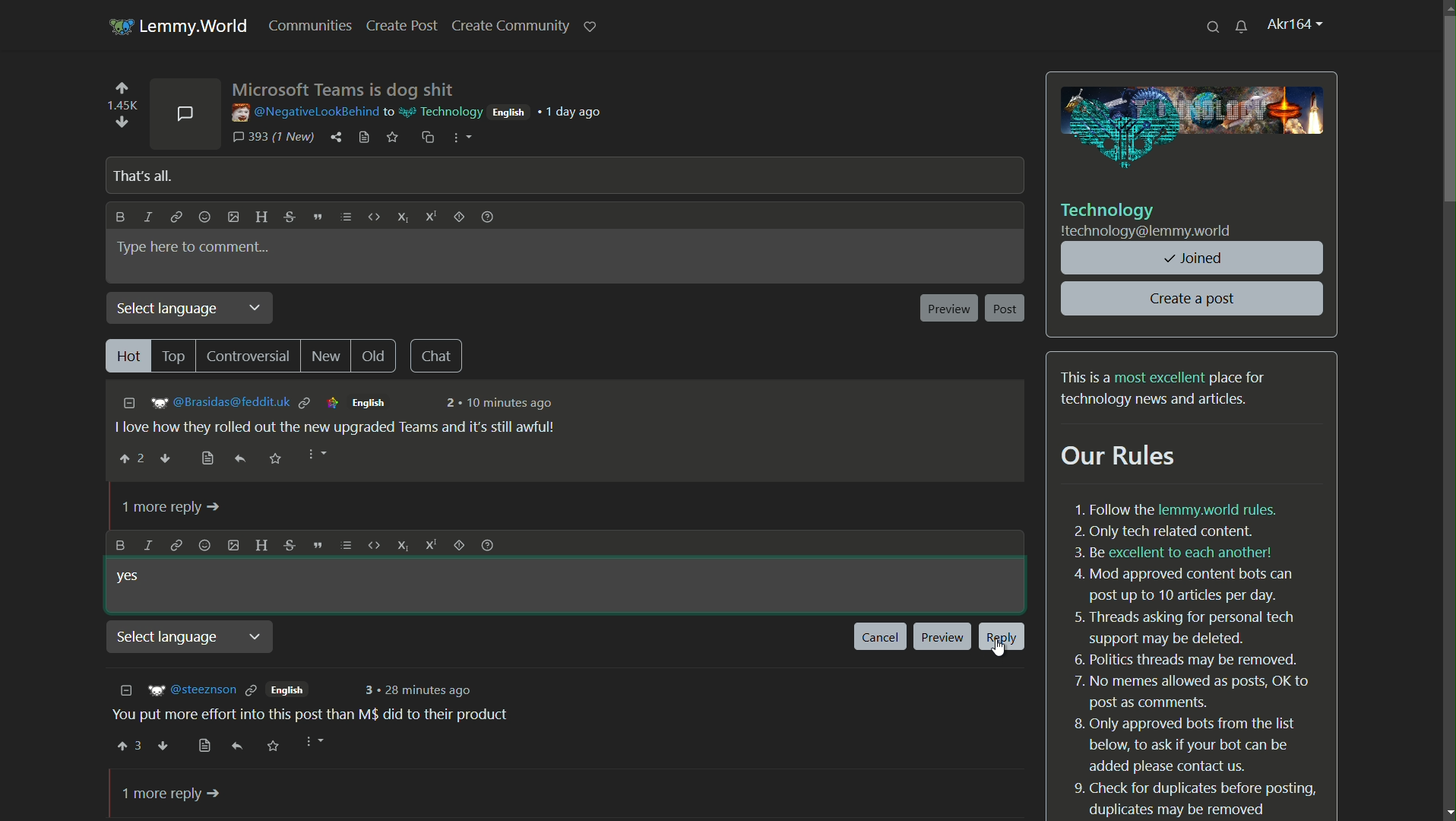  Describe the element at coordinates (1242, 26) in the screenshot. I see `unread messages` at that location.